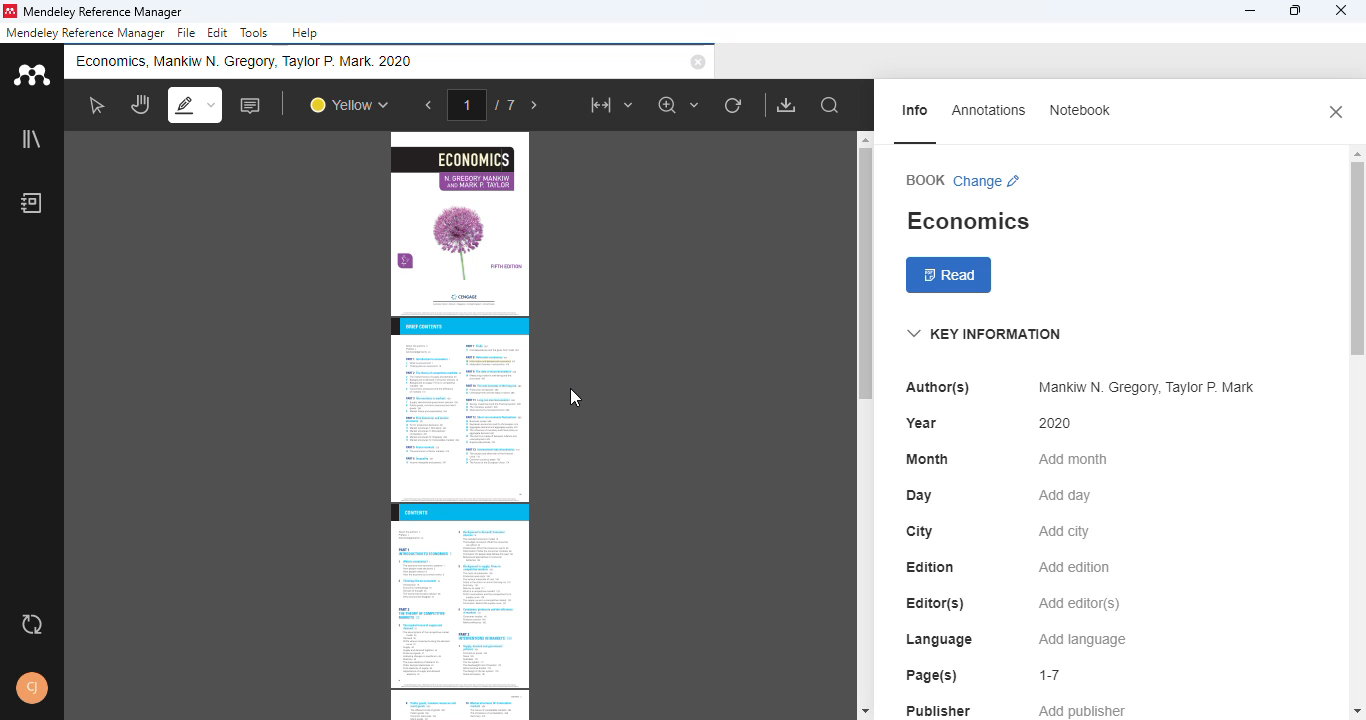 The image size is (1366, 720). What do you see at coordinates (348, 106) in the screenshot?
I see `select color` at bounding box center [348, 106].